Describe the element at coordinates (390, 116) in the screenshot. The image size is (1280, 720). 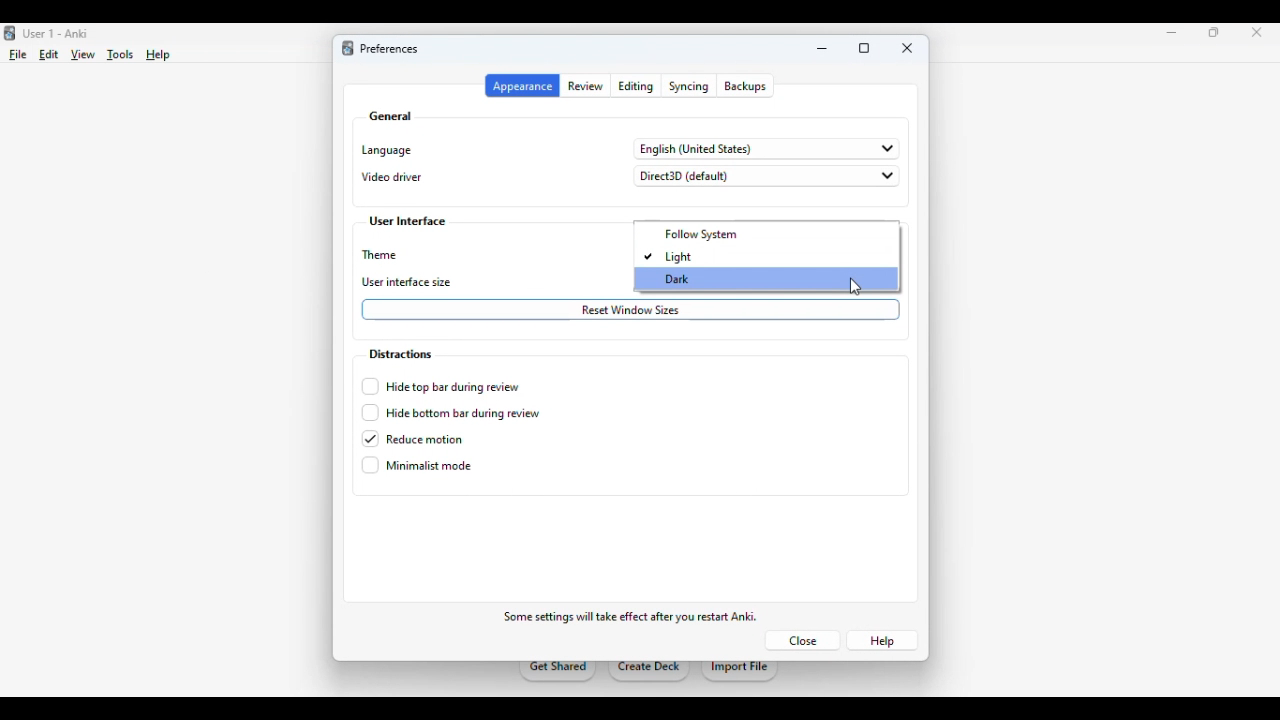
I see `general` at that location.